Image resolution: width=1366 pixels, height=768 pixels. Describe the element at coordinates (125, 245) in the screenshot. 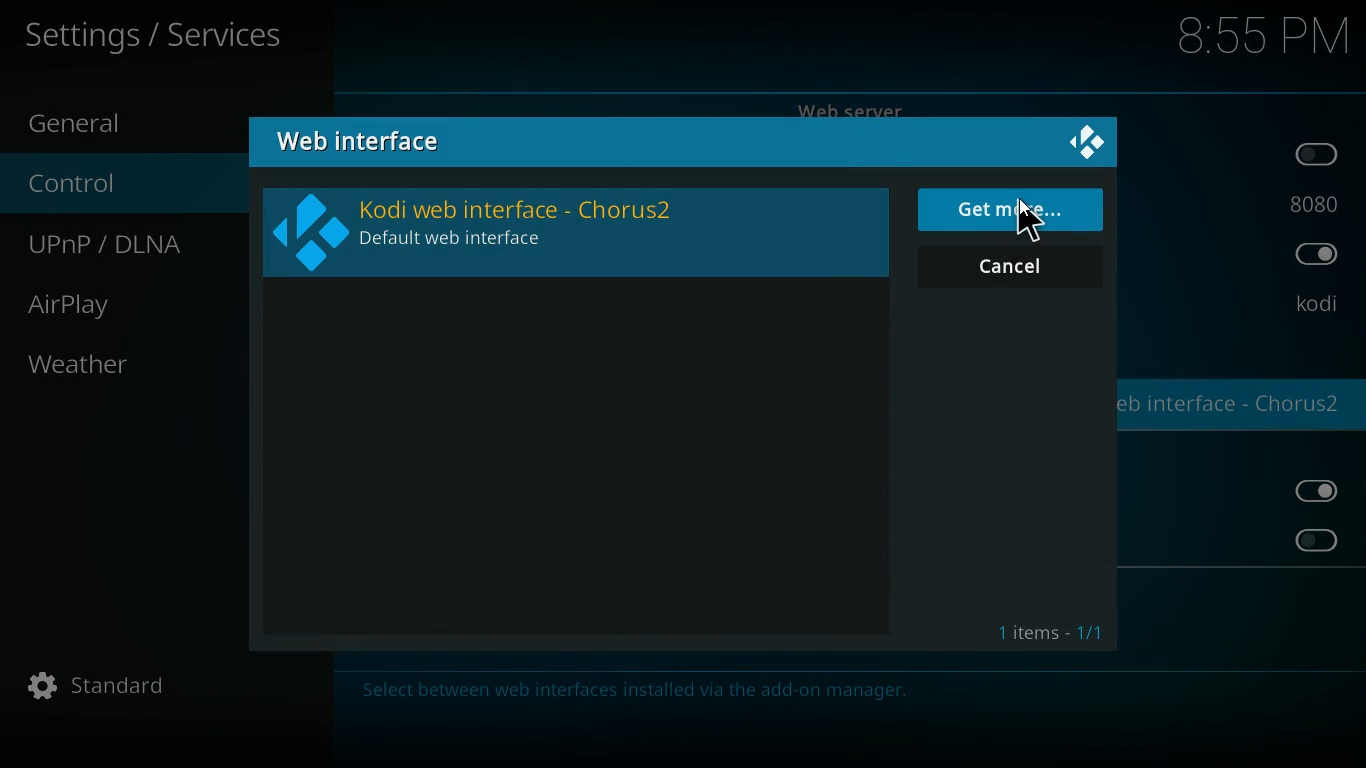

I see `UPnP / DLNA` at that location.